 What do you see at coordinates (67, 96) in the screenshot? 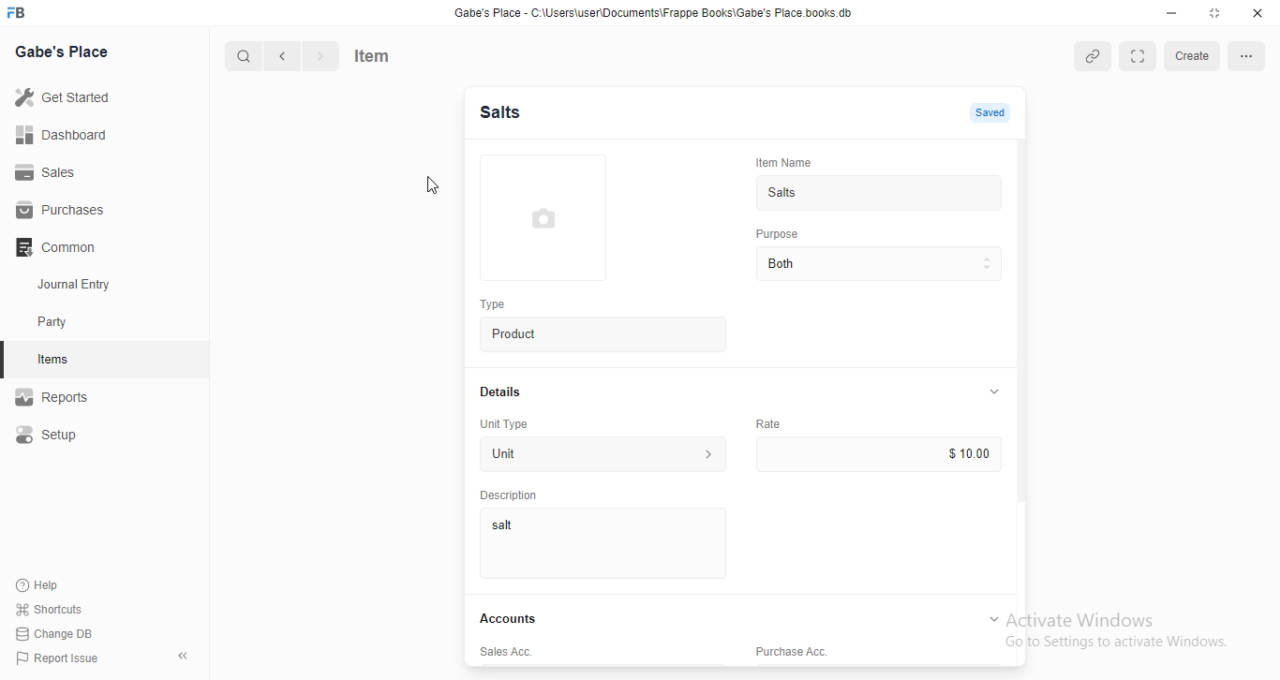
I see `Get Started` at bounding box center [67, 96].